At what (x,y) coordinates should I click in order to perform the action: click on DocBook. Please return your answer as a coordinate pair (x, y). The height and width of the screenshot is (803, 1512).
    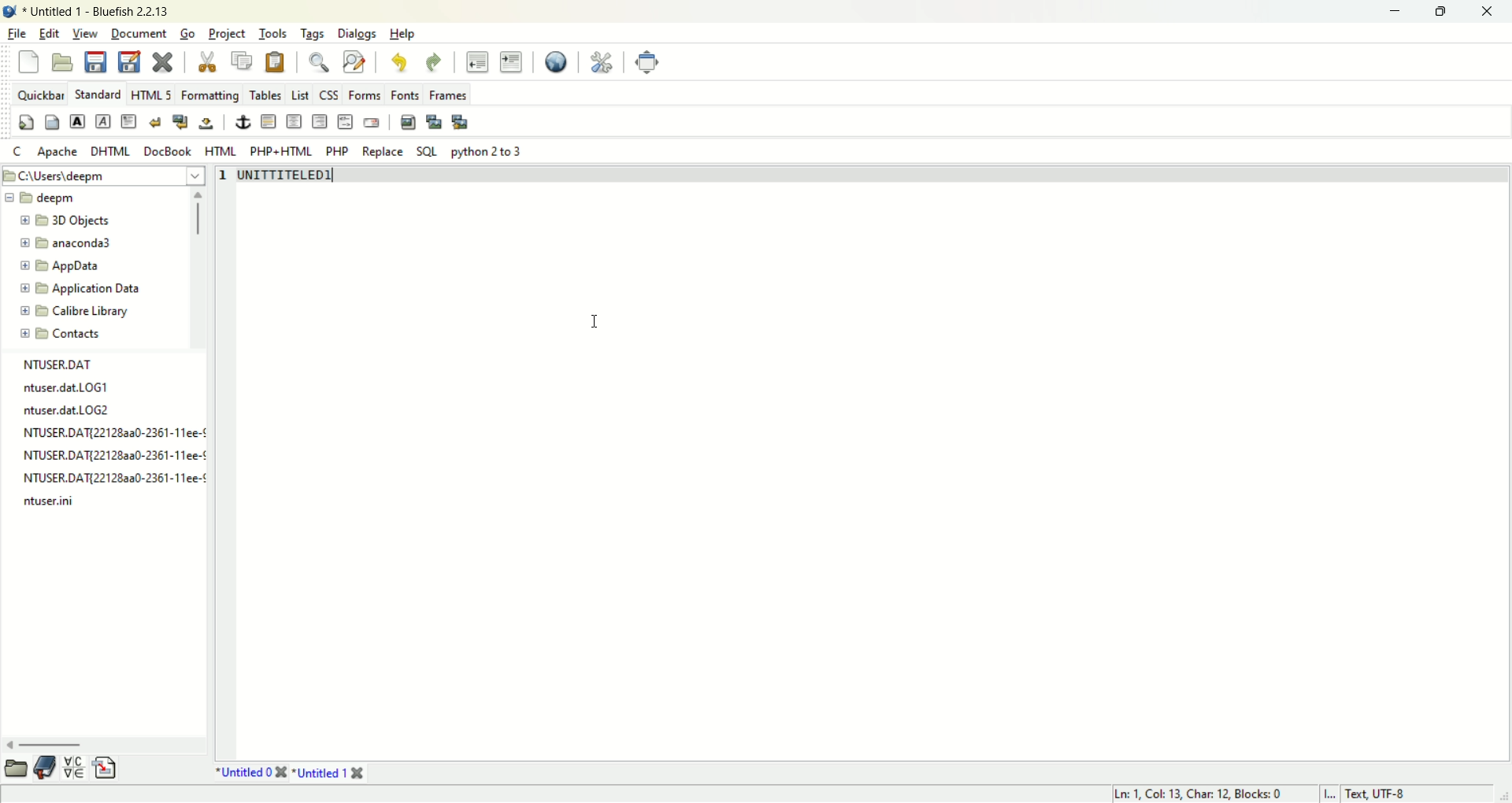
    Looking at the image, I should click on (166, 151).